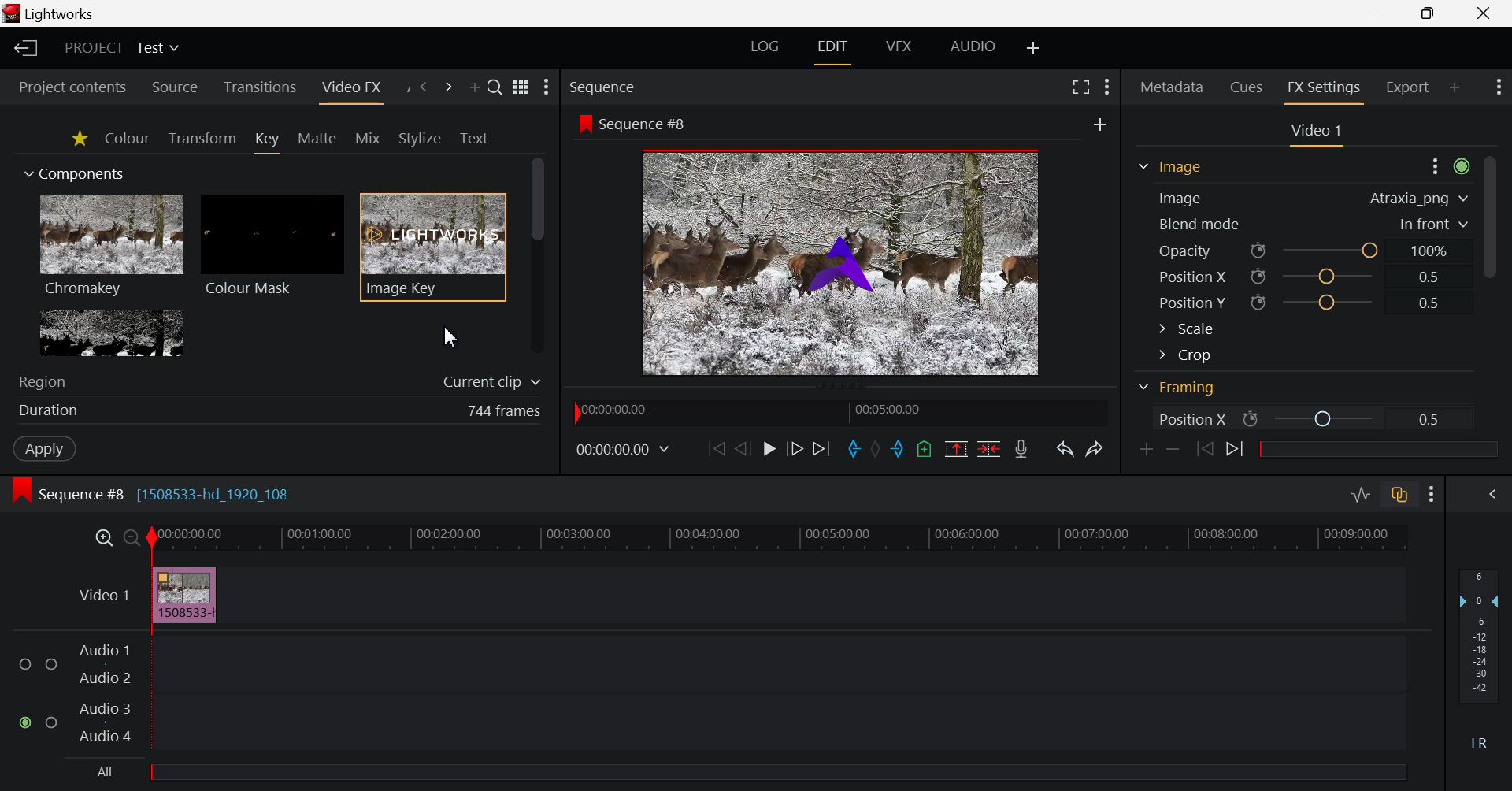 The height and width of the screenshot is (791, 1512). What do you see at coordinates (1205, 452) in the screenshot?
I see `Previous keyframe` at bounding box center [1205, 452].